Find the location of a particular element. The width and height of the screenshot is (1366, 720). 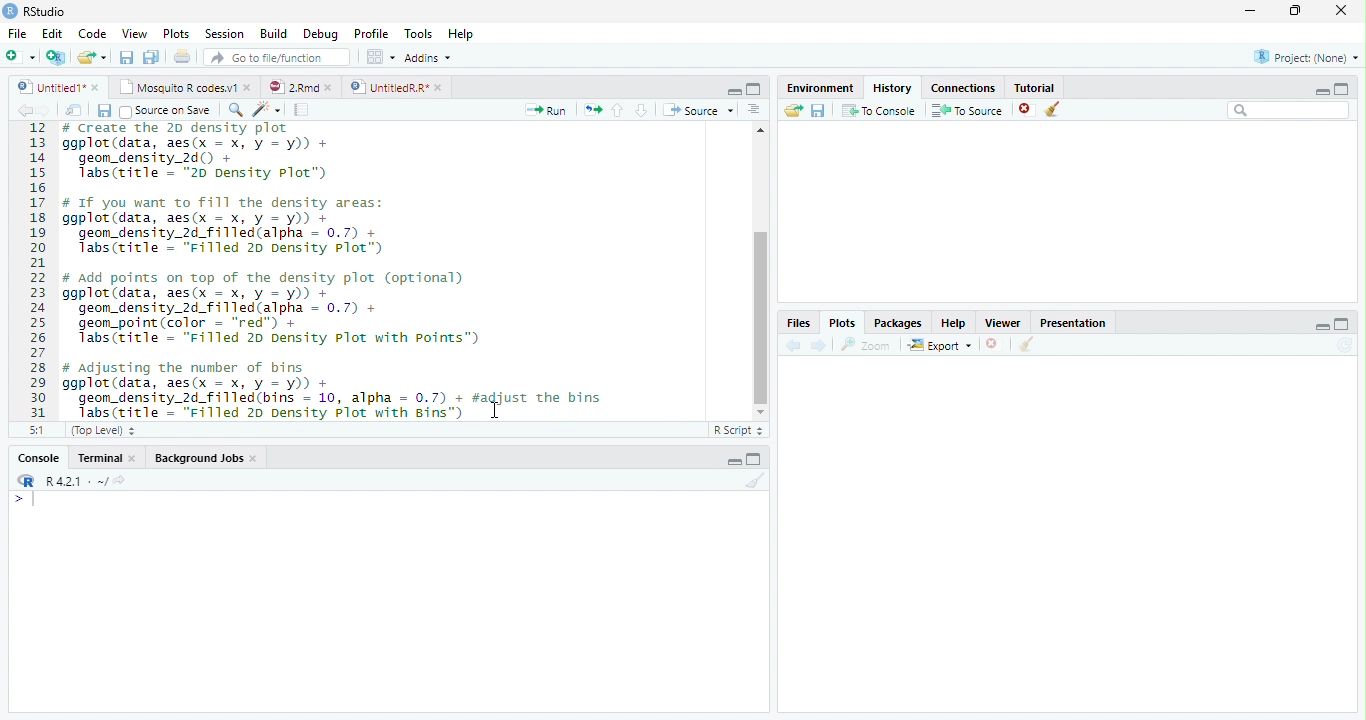

open an existing file is located at coordinates (90, 57).